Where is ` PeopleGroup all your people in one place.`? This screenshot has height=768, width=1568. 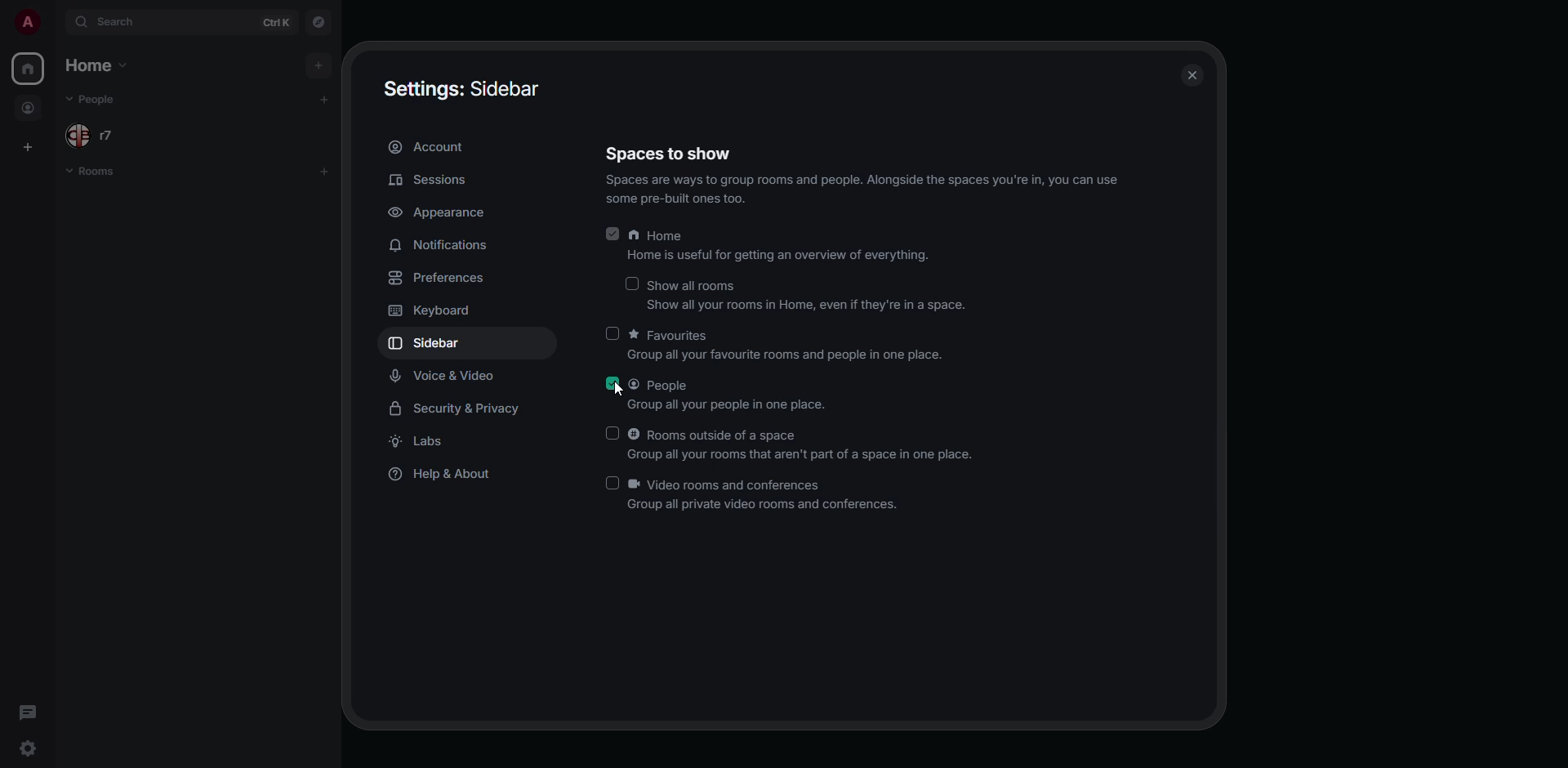  PeopleGroup all your people in one place. is located at coordinates (722, 391).